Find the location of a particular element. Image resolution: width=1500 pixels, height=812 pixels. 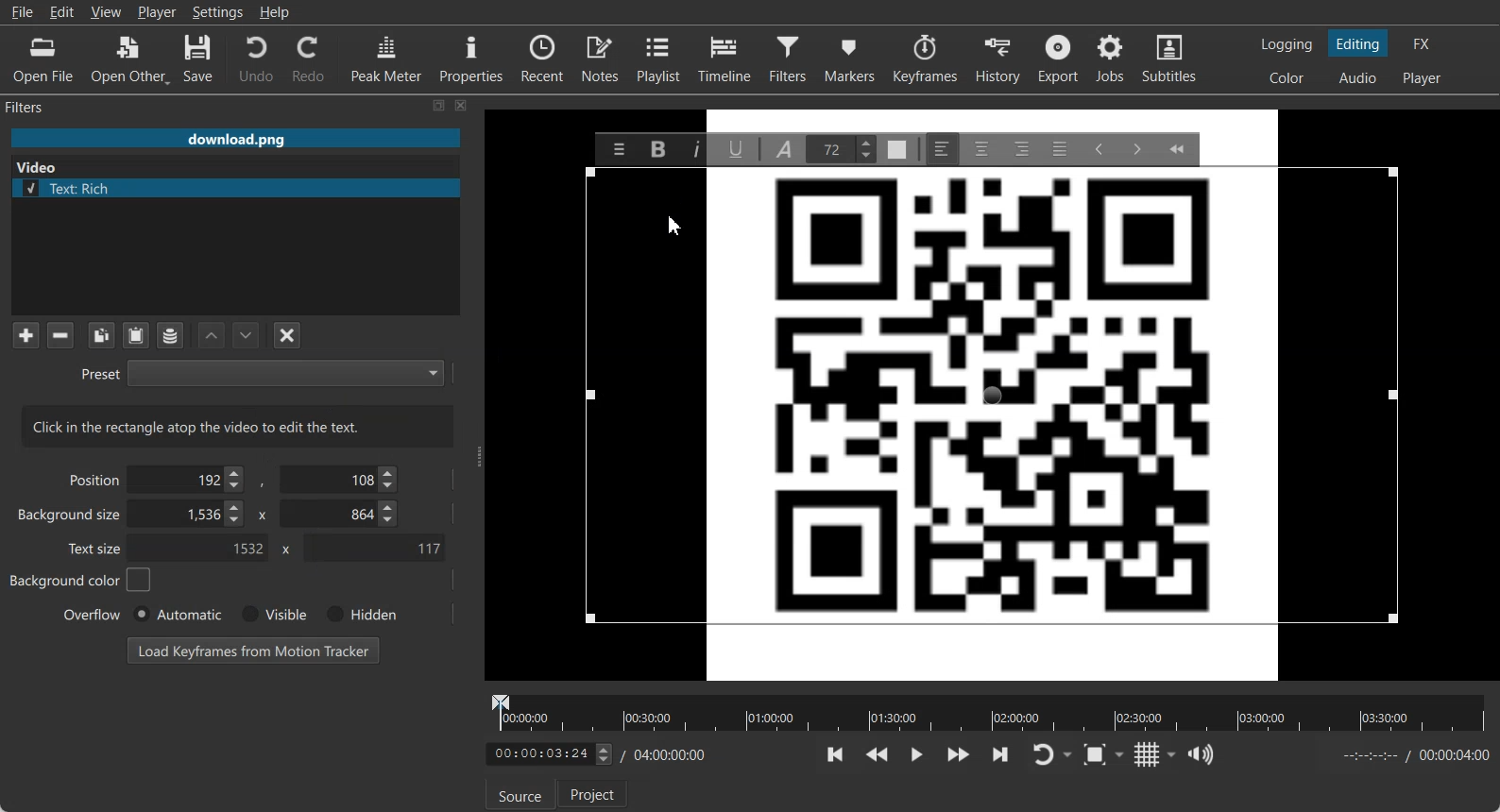

Switching to the Editing layout is located at coordinates (1358, 44).